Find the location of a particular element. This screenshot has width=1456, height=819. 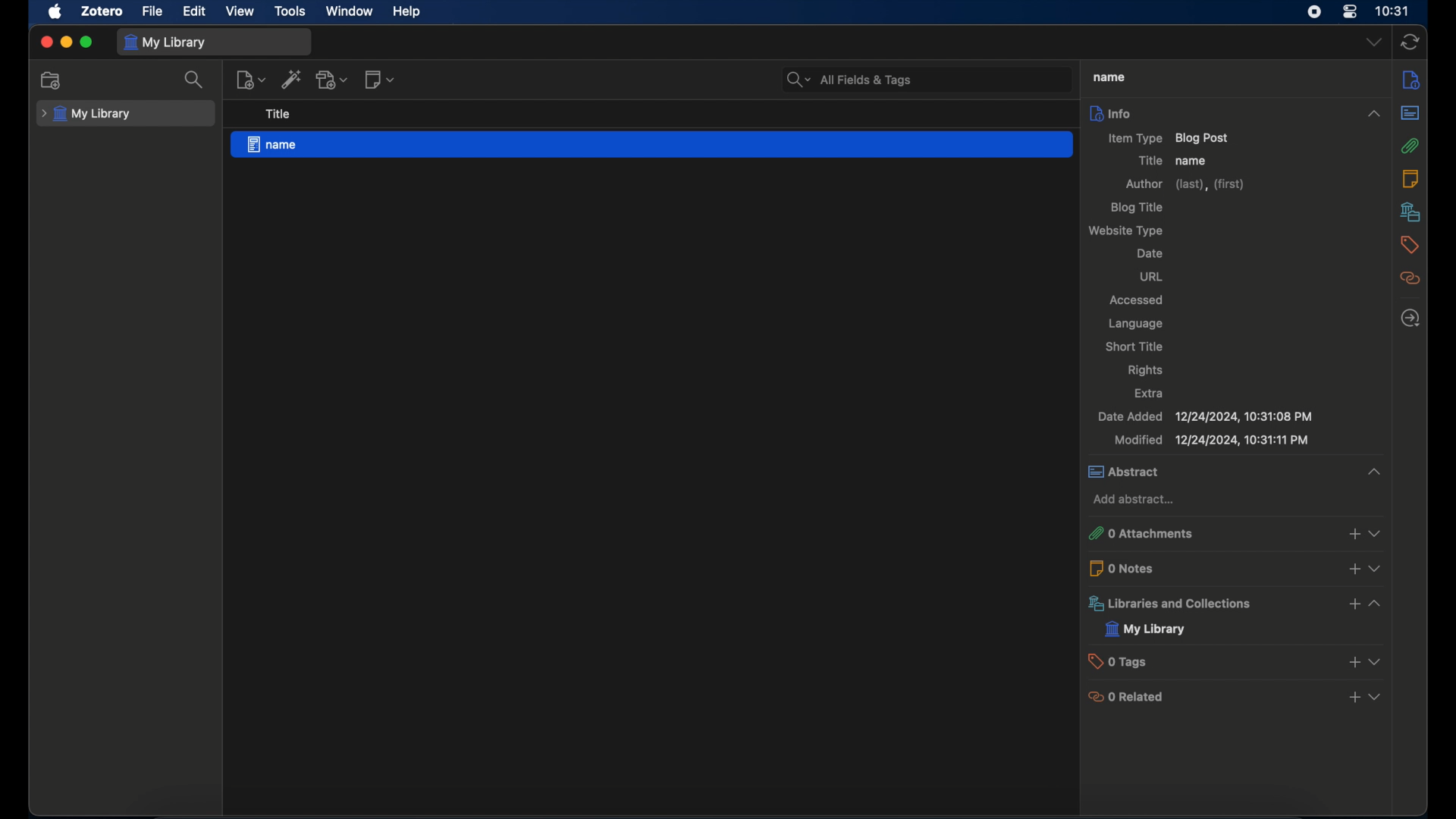

0 notes is located at coordinates (1237, 567).